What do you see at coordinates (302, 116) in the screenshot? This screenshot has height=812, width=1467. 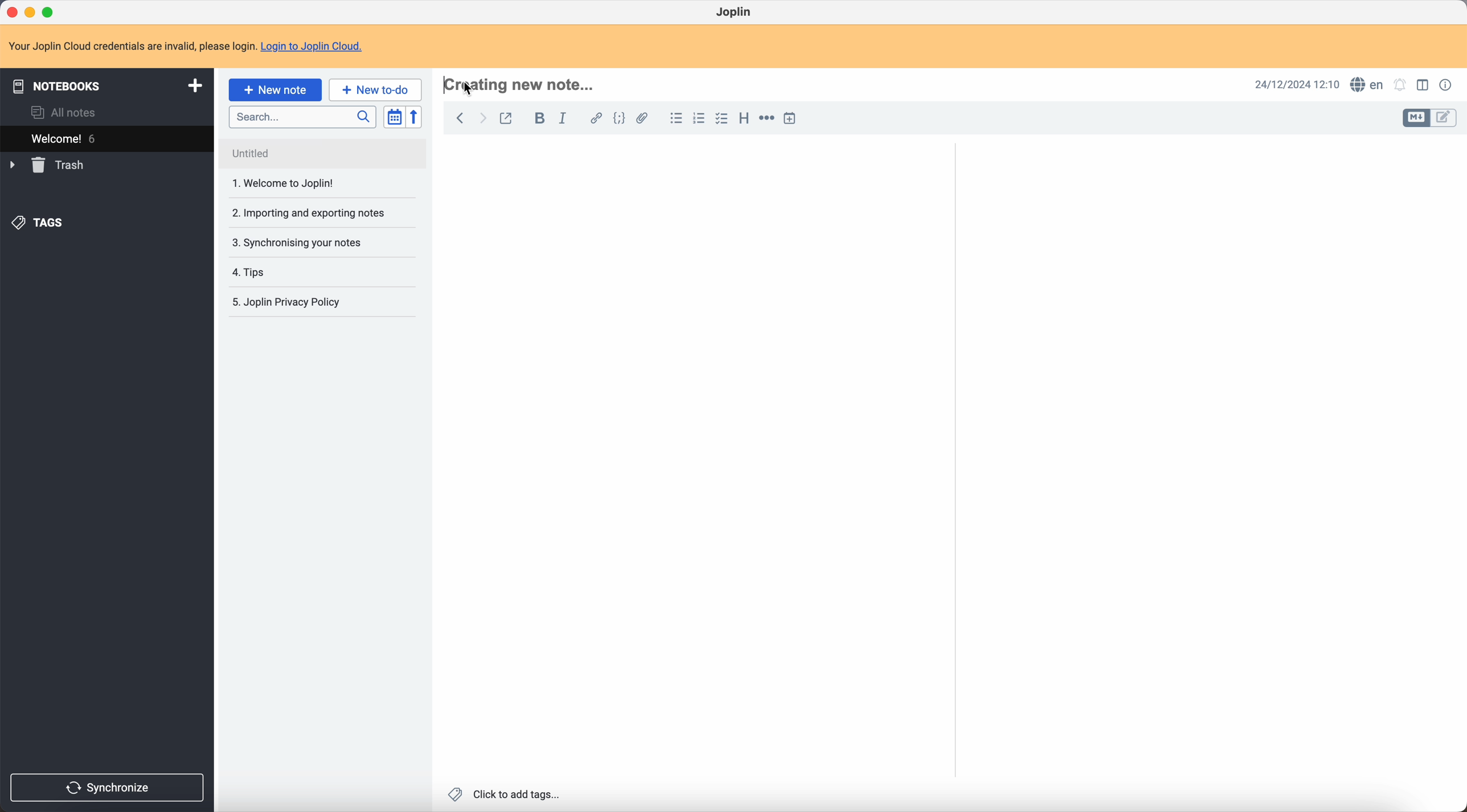 I see `search bar` at bounding box center [302, 116].